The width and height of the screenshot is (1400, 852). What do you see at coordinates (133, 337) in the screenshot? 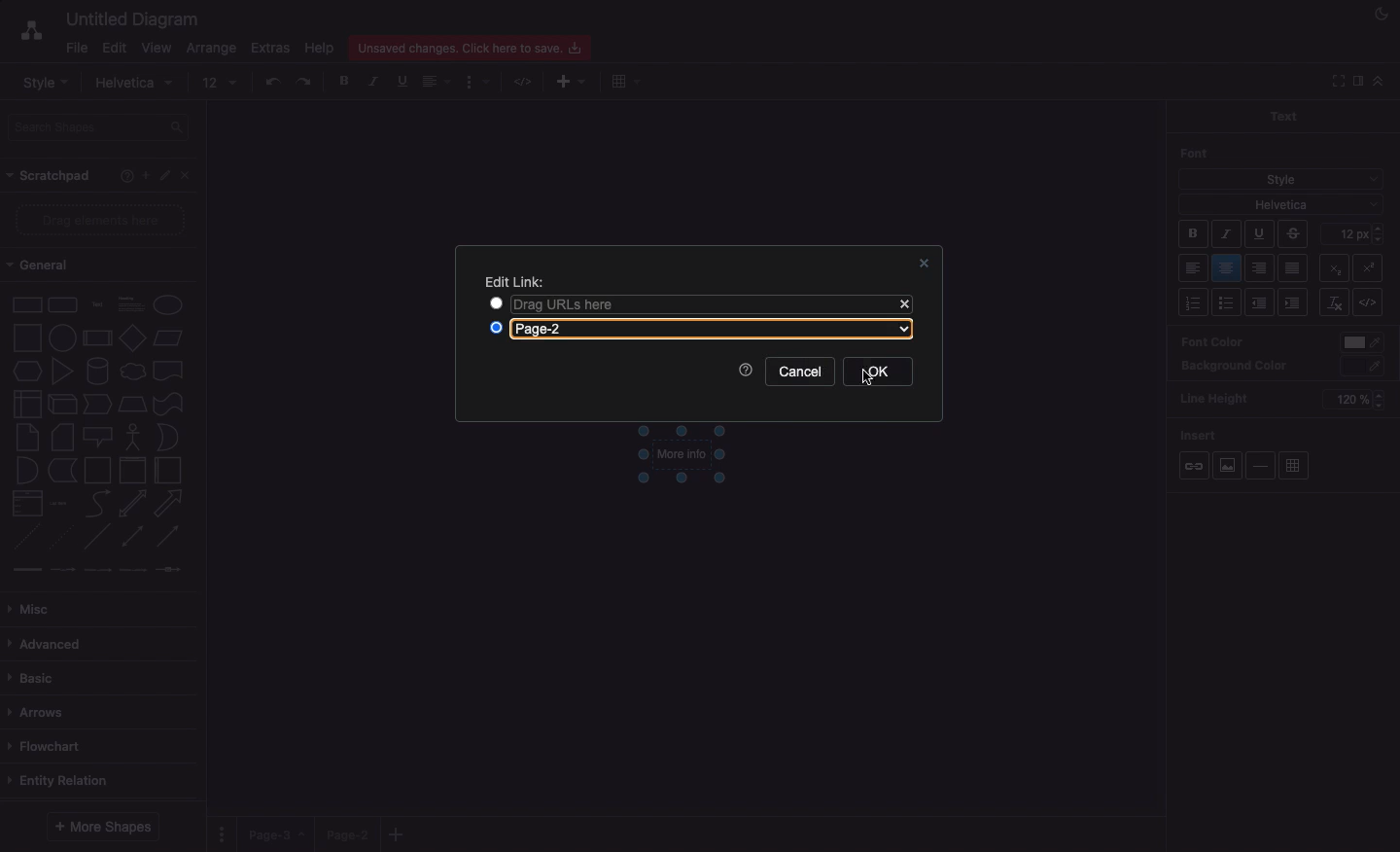
I see `diamond` at bounding box center [133, 337].